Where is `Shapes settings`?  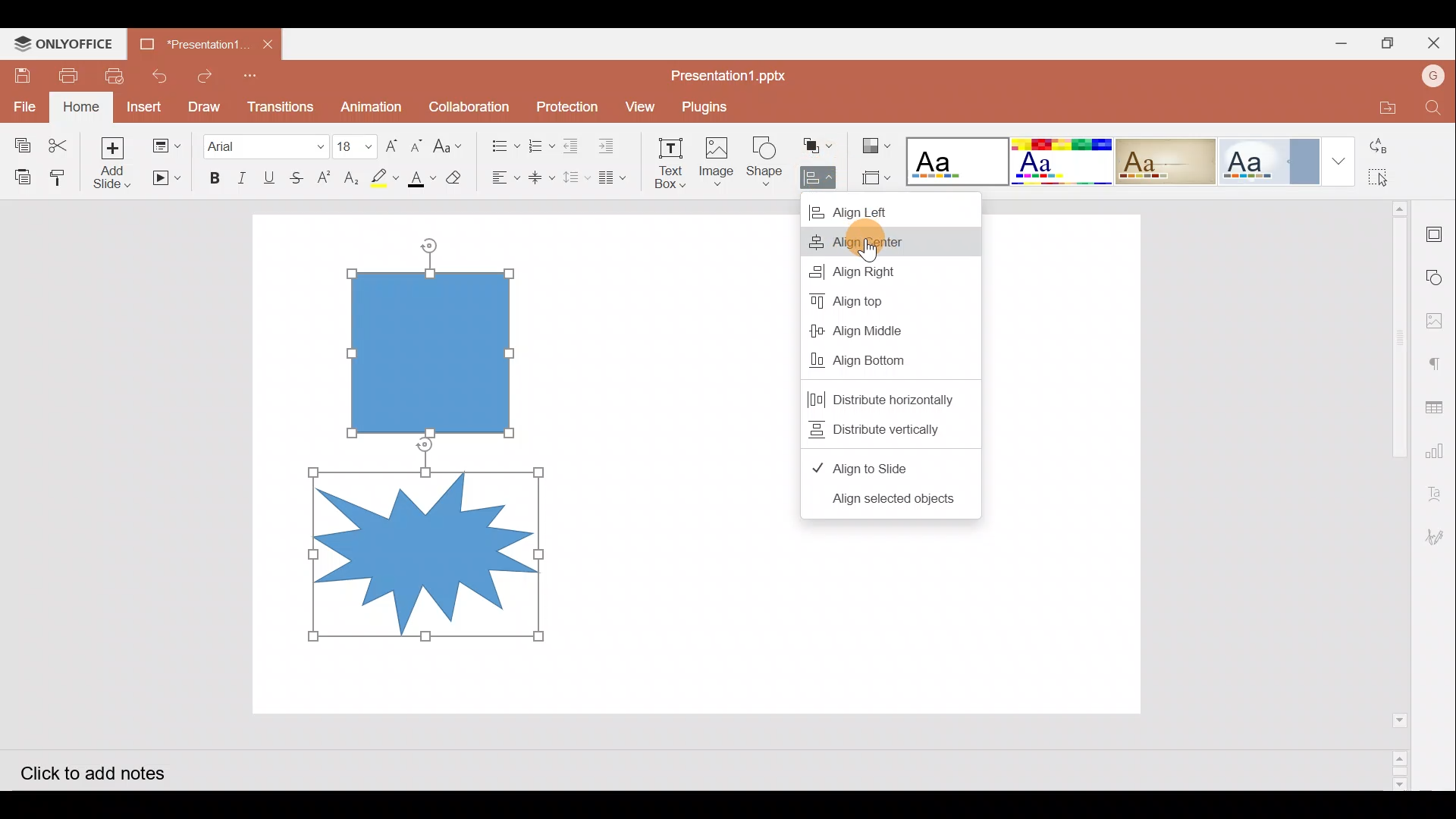
Shapes settings is located at coordinates (1437, 274).